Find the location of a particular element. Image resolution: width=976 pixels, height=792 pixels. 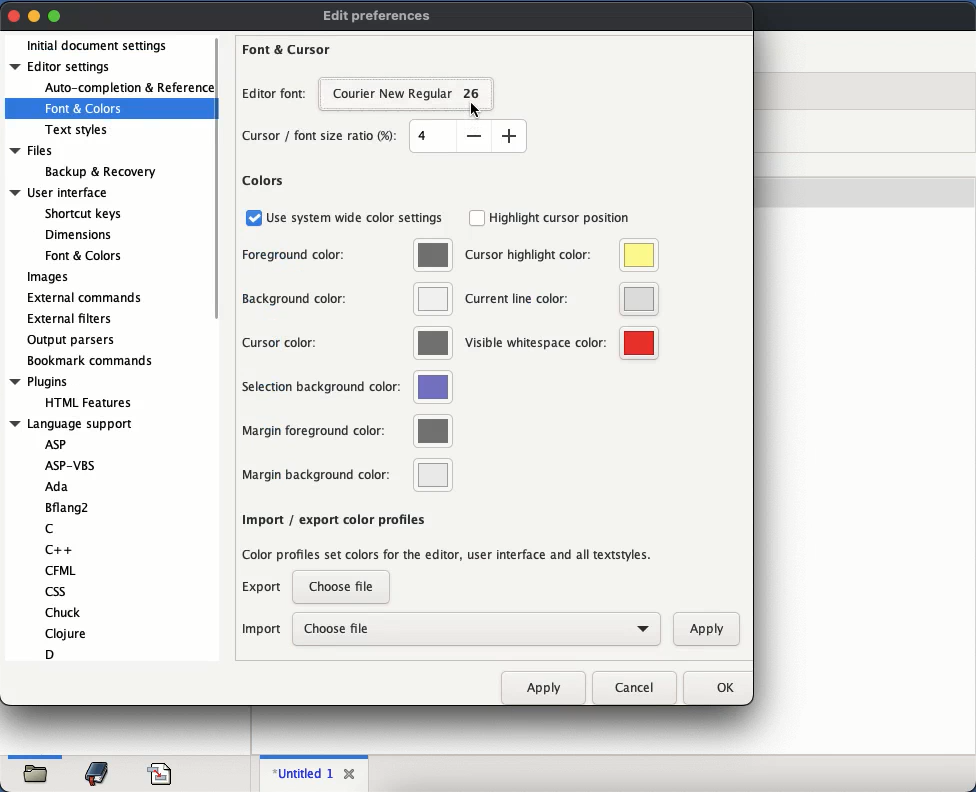

minimize is located at coordinates (34, 17).